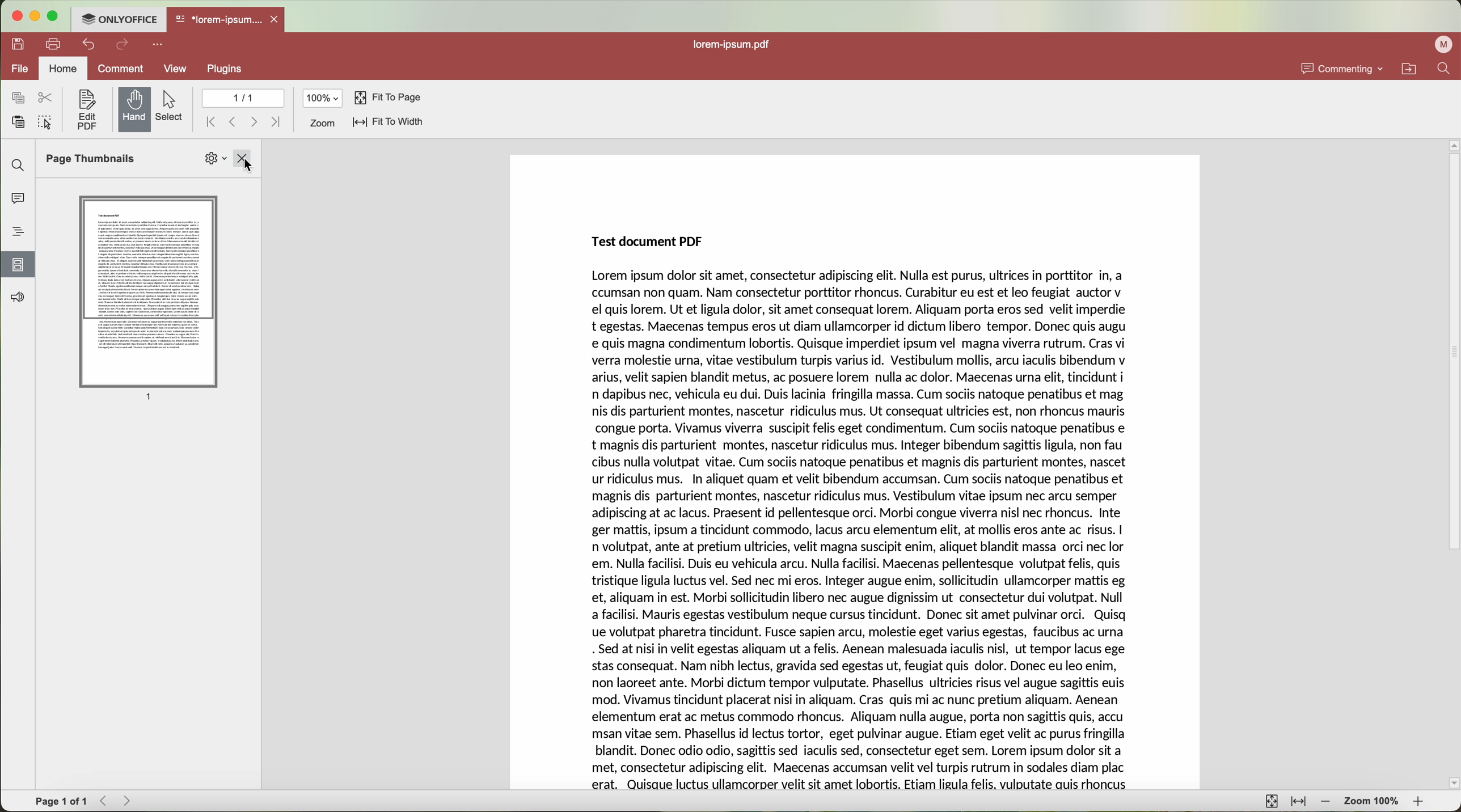  What do you see at coordinates (16, 45) in the screenshot?
I see `save` at bounding box center [16, 45].